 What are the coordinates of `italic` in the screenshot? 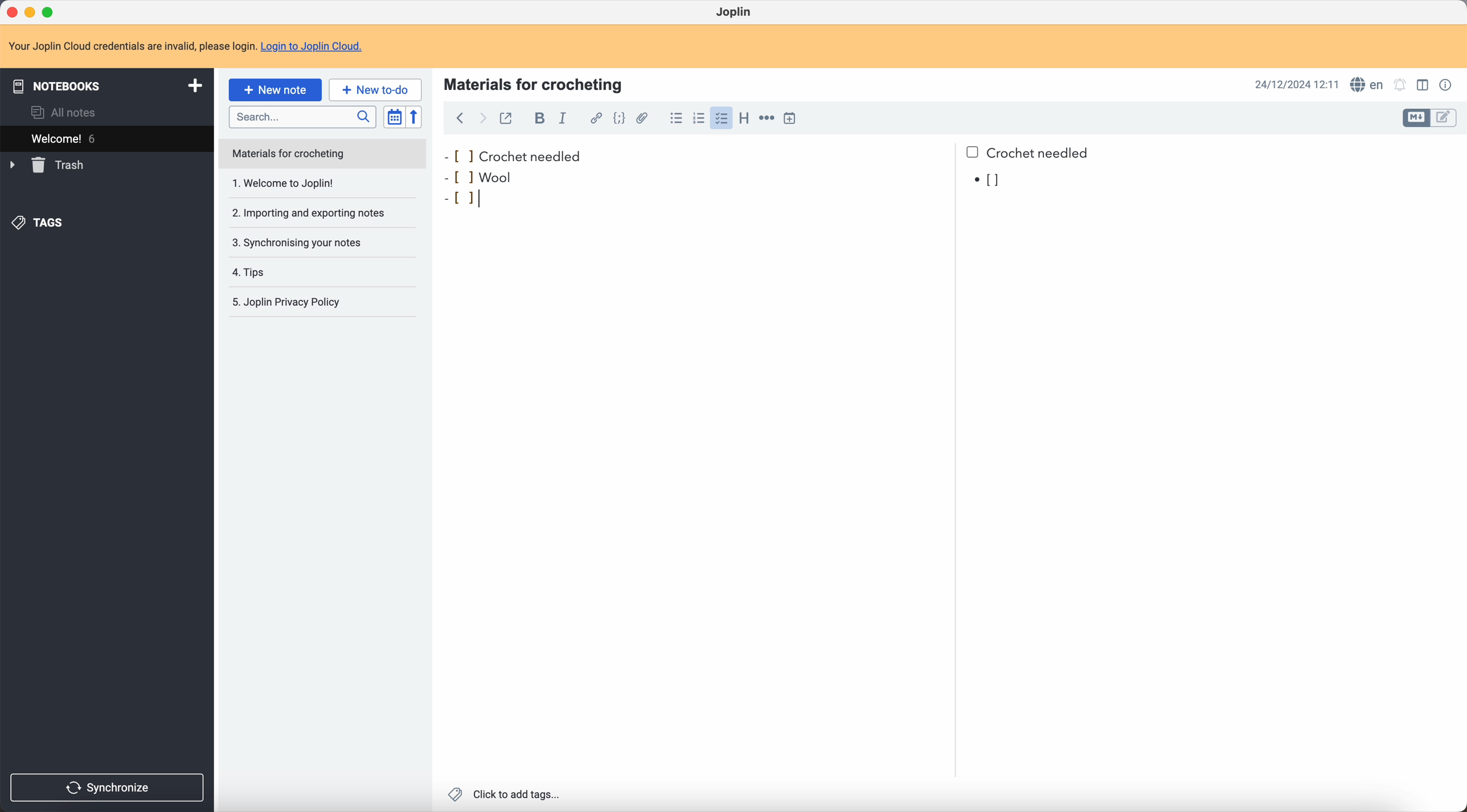 It's located at (565, 118).